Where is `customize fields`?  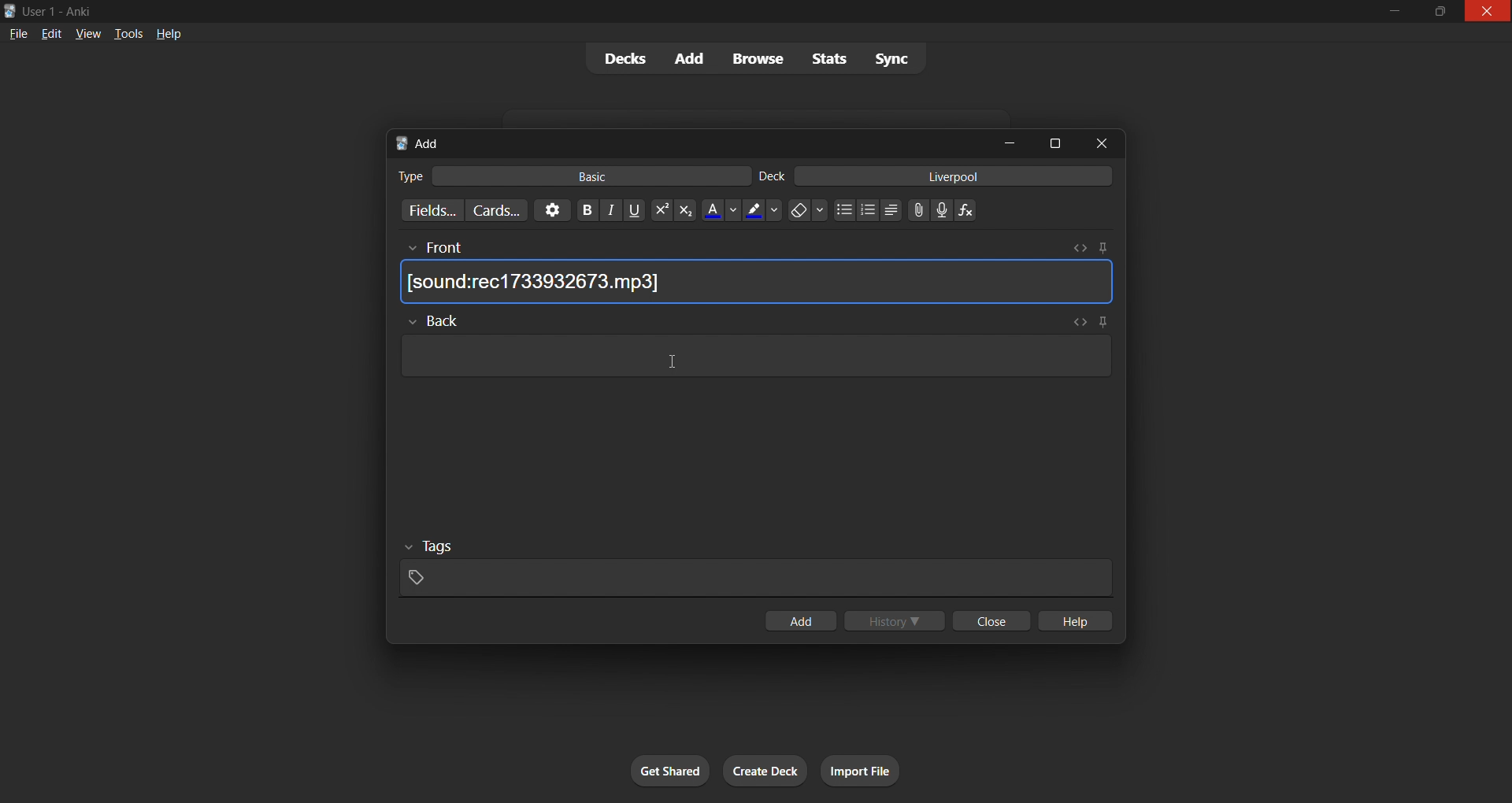
customize fields is located at coordinates (427, 211).